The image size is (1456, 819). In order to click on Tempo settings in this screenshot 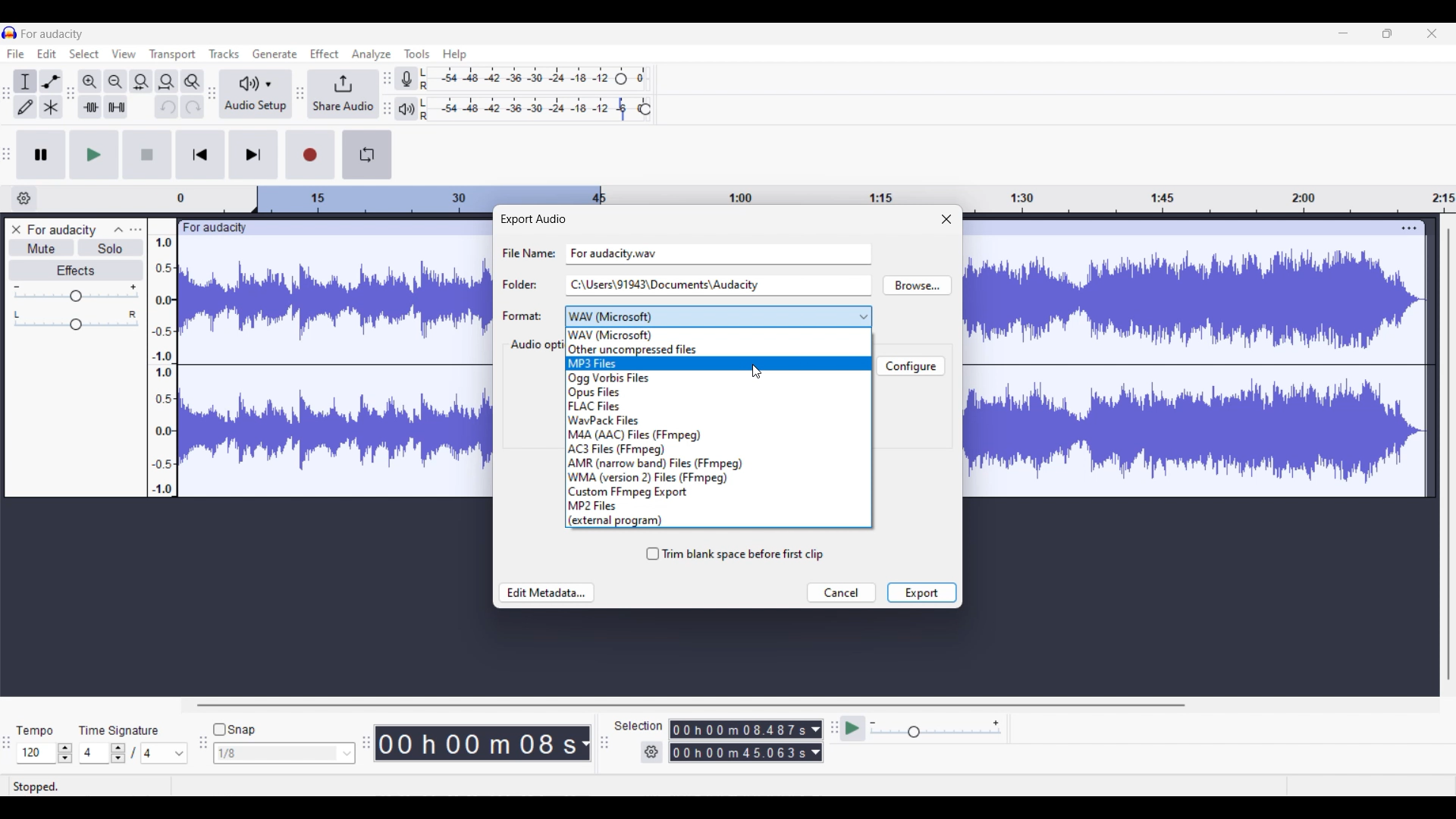, I will do `click(34, 731)`.